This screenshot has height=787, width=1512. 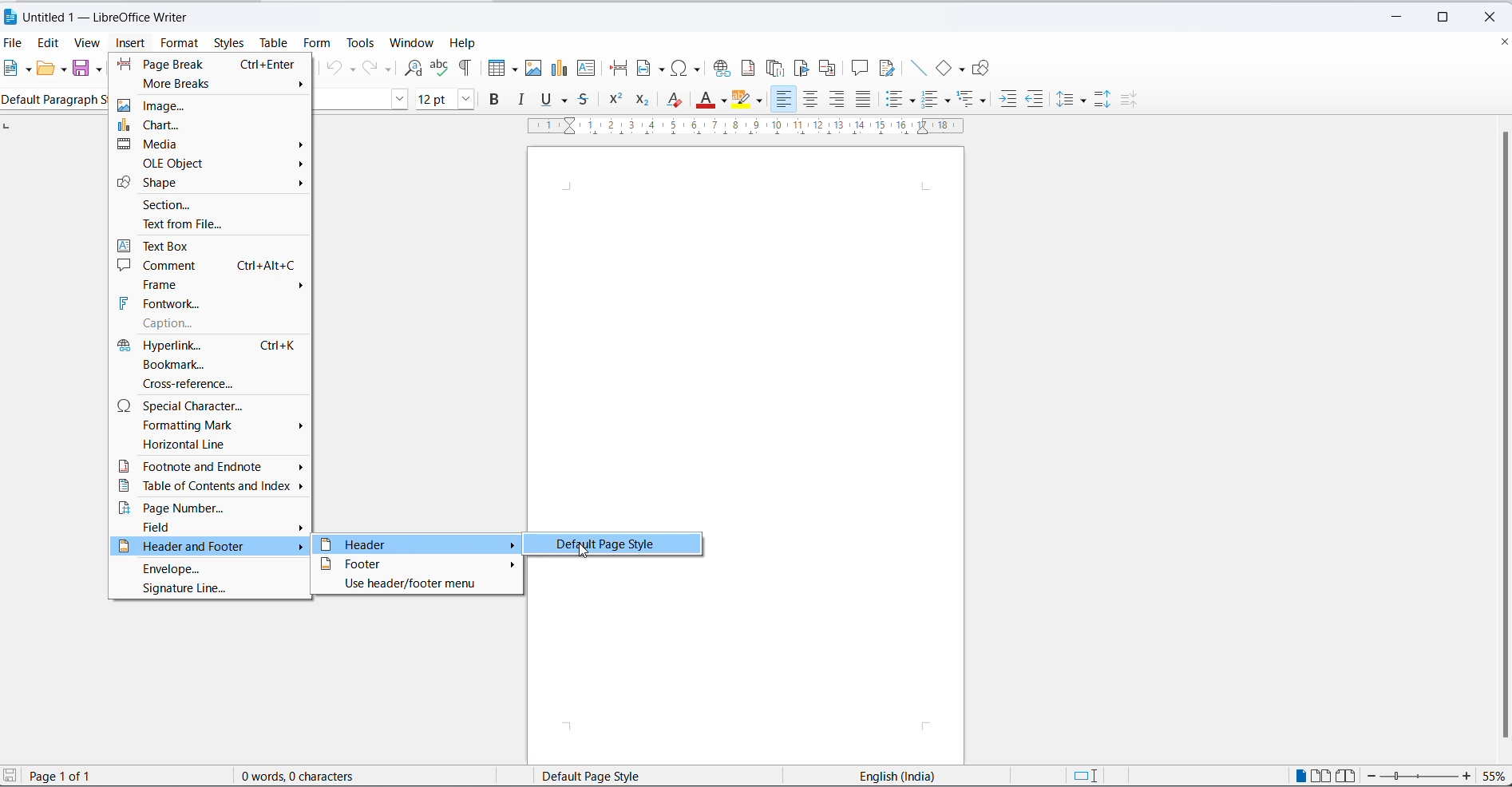 I want to click on window, so click(x=415, y=43).